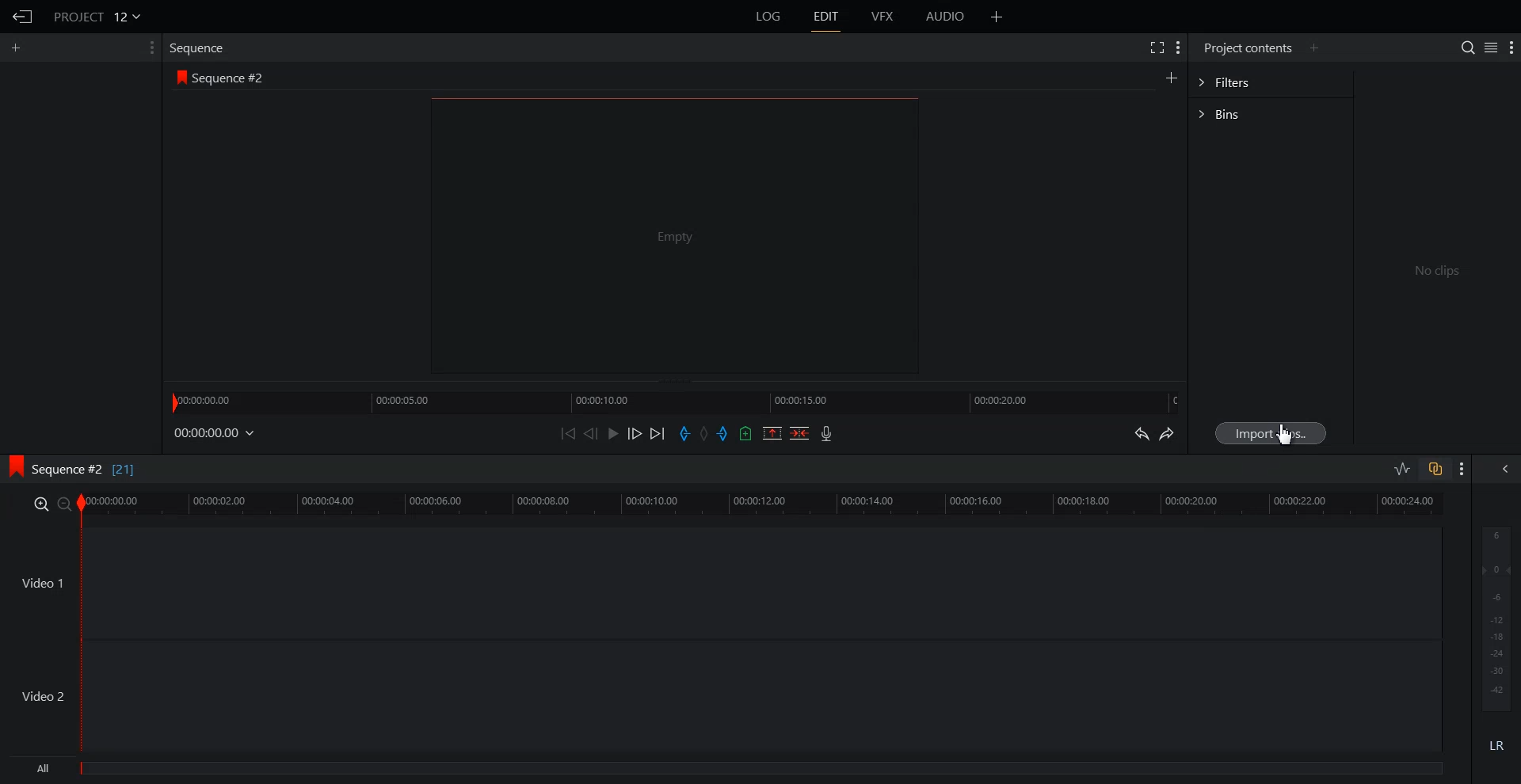  Describe the element at coordinates (676, 401) in the screenshot. I see `Slider` at that location.